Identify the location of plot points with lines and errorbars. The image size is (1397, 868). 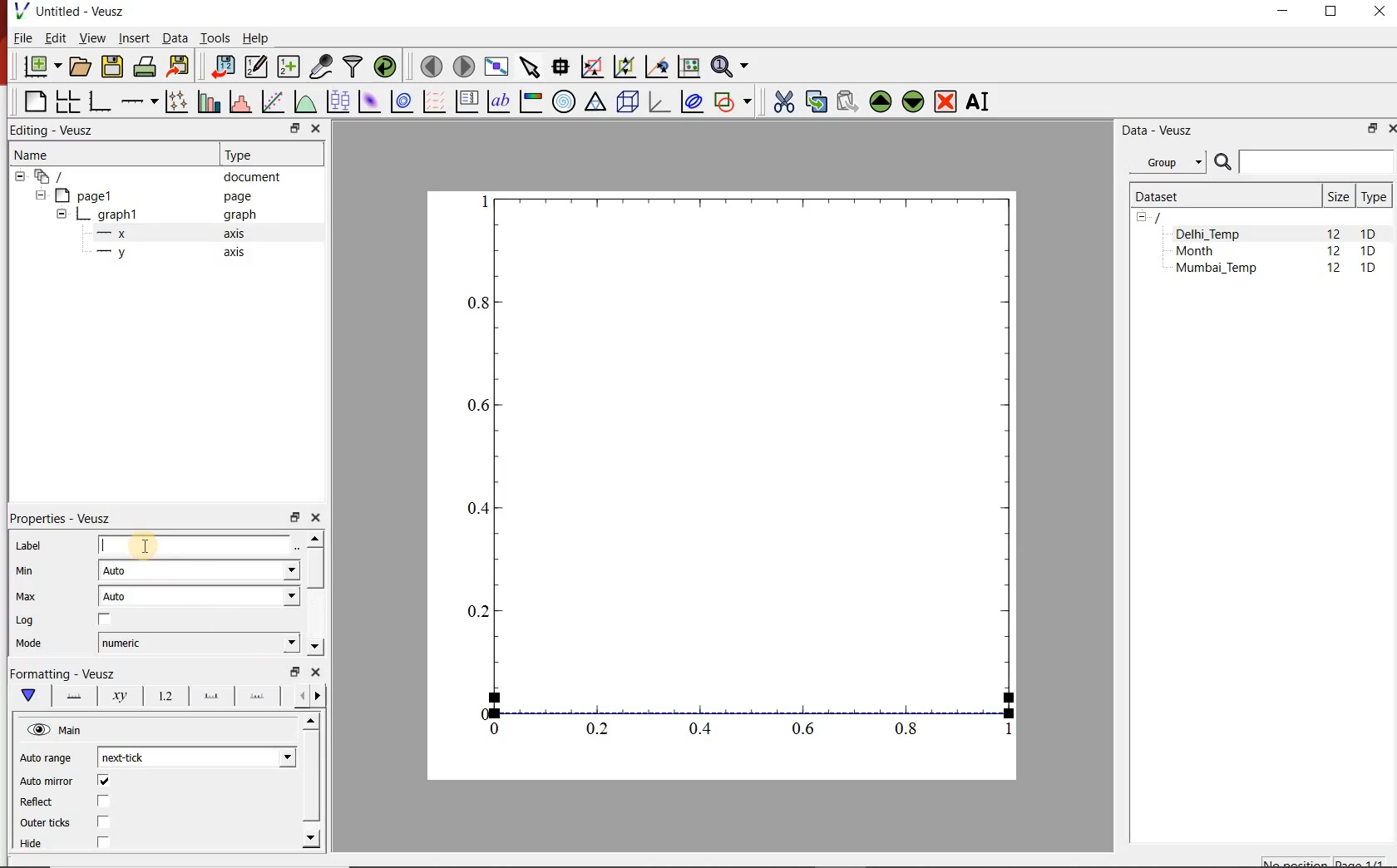
(175, 102).